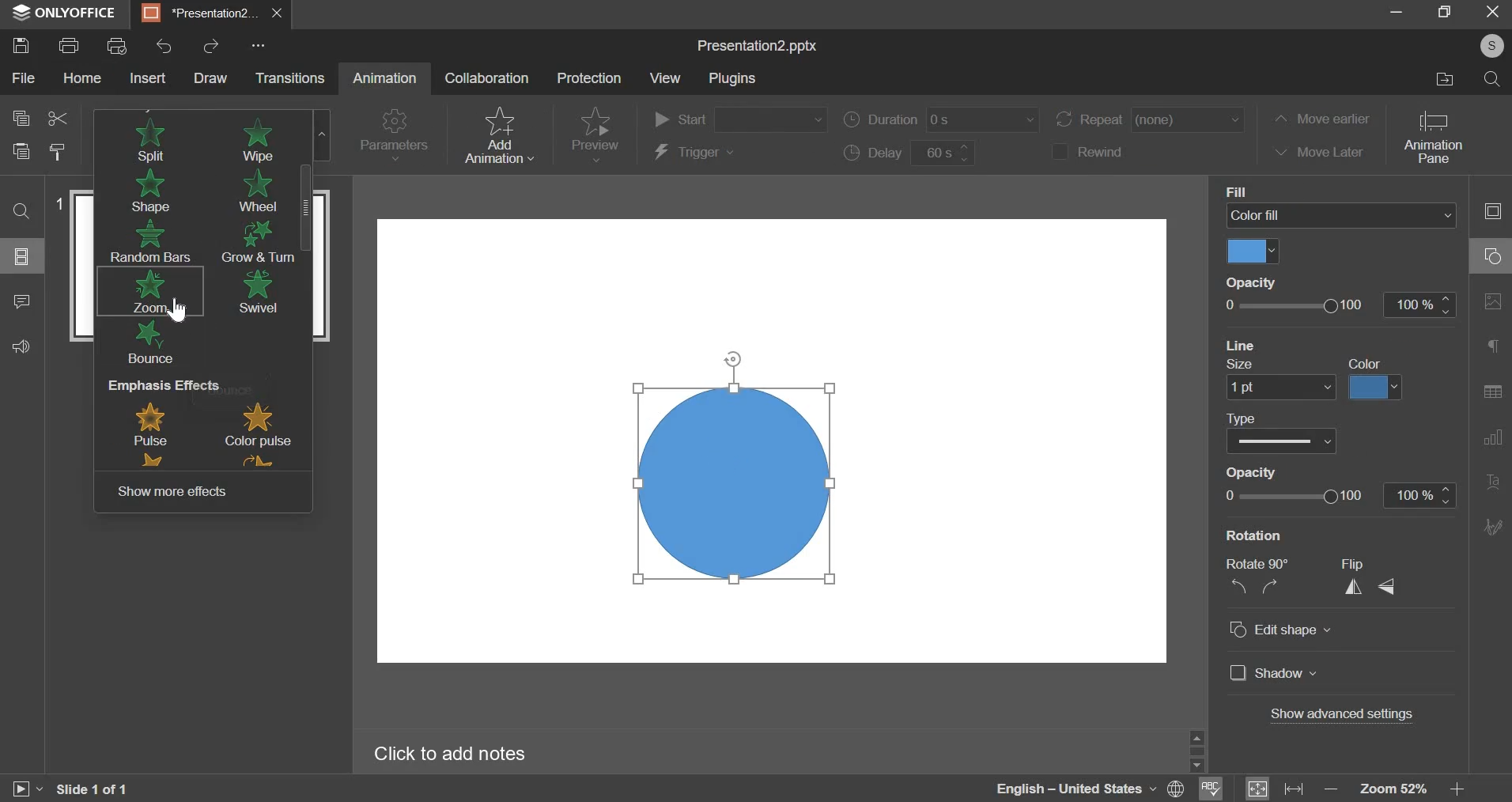 This screenshot has width=1512, height=802. Describe the element at coordinates (1443, 78) in the screenshot. I see `file location` at that location.